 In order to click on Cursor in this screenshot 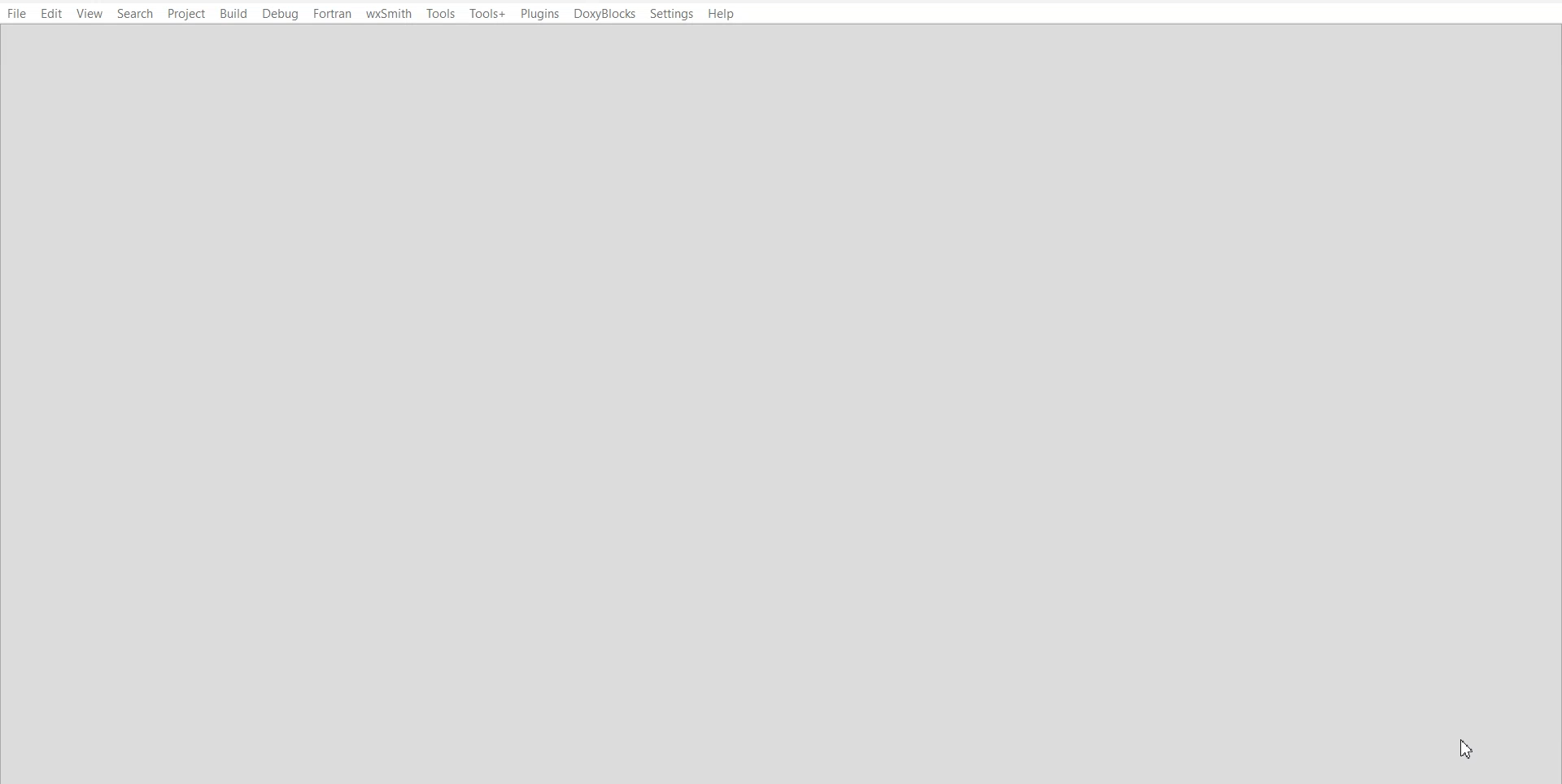, I will do `click(1465, 748)`.